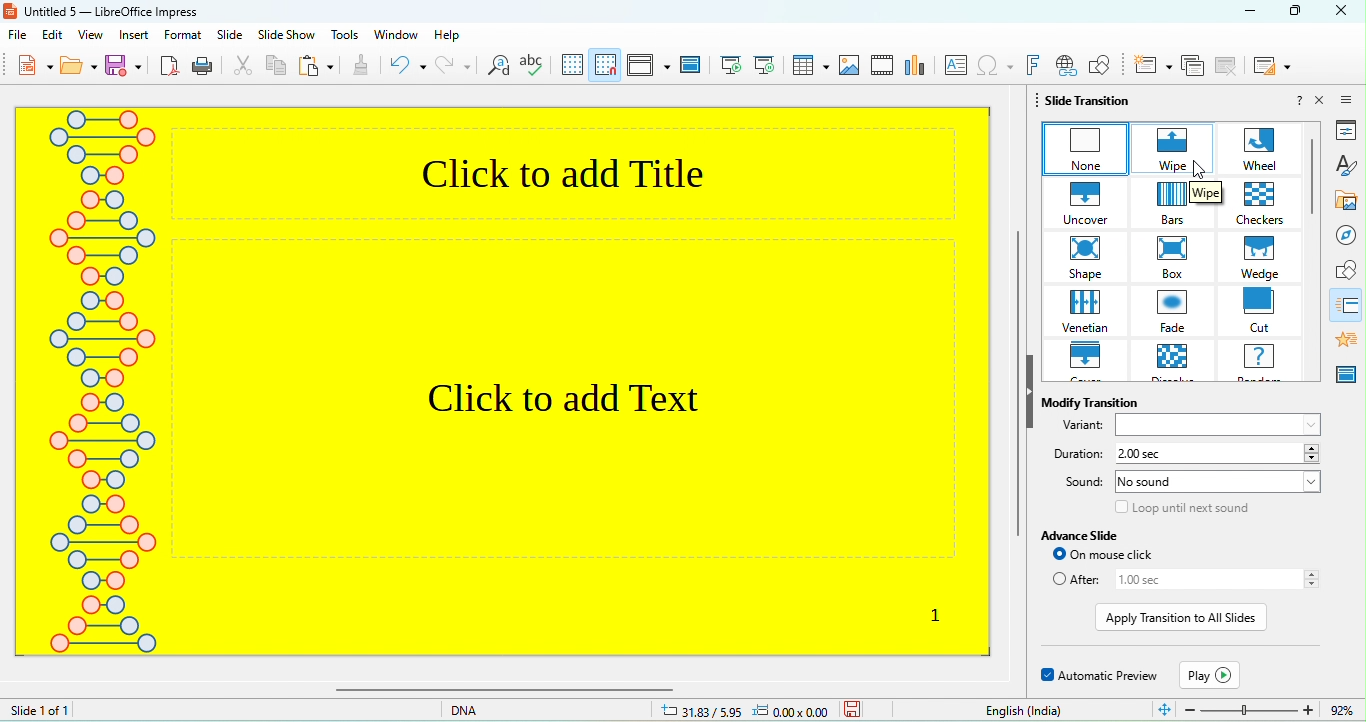  I want to click on print, so click(205, 68).